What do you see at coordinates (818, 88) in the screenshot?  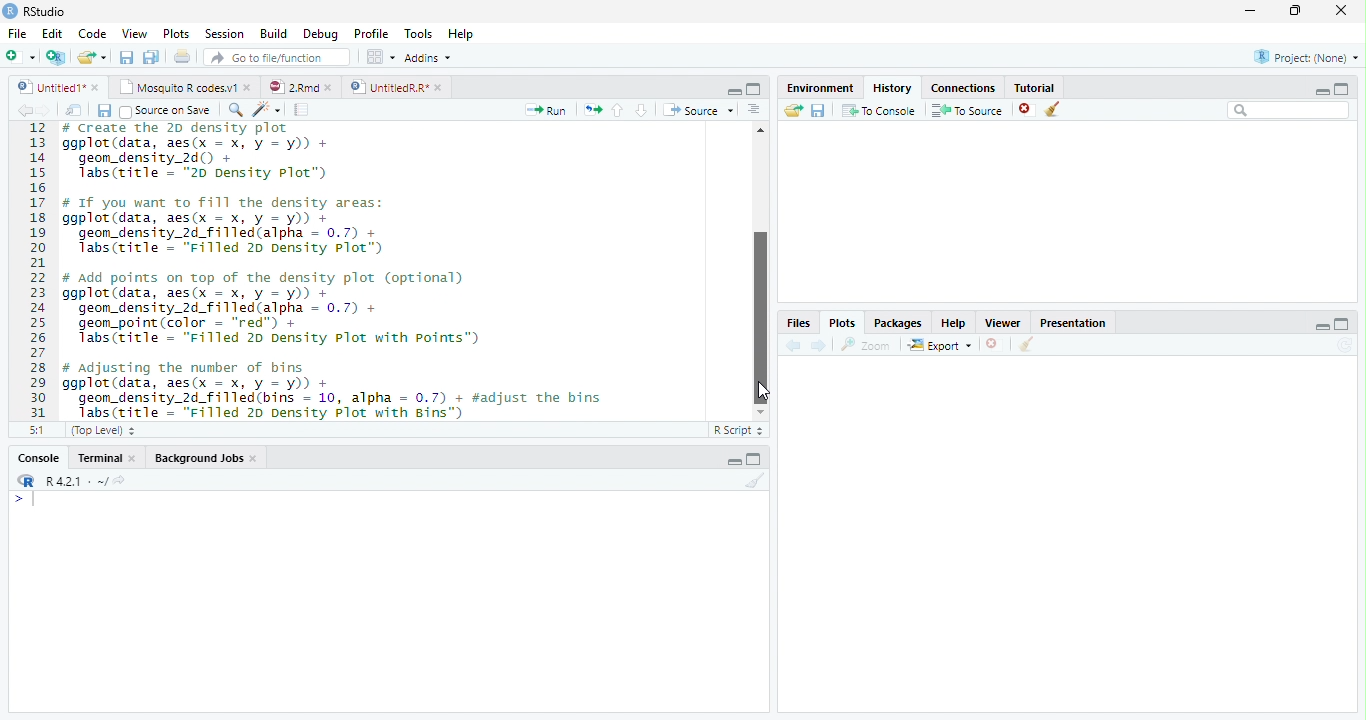 I see `Environment` at bounding box center [818, 88].